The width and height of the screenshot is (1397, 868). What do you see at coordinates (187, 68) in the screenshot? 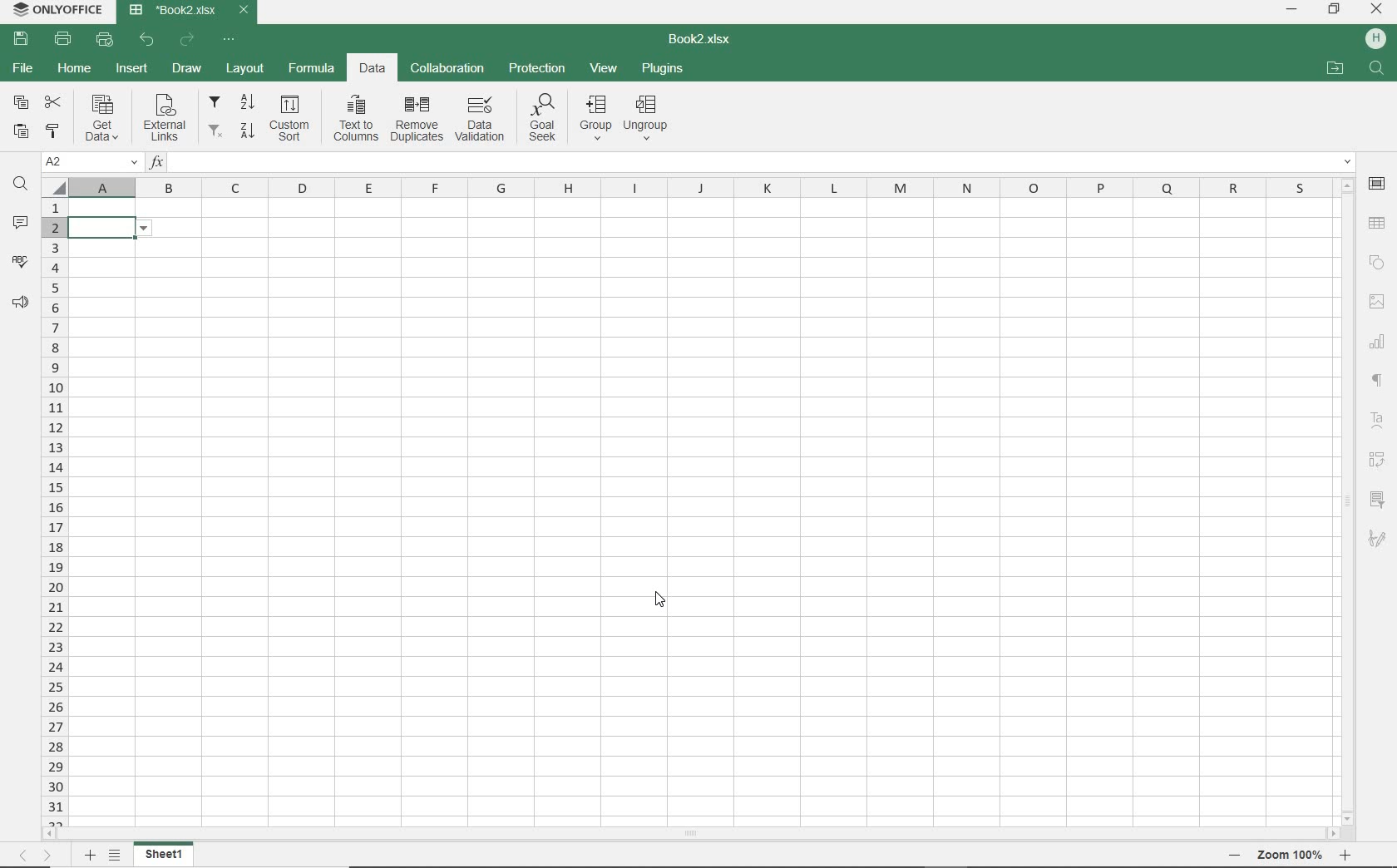
I see `DRAW` at bounding box center [187, 68].